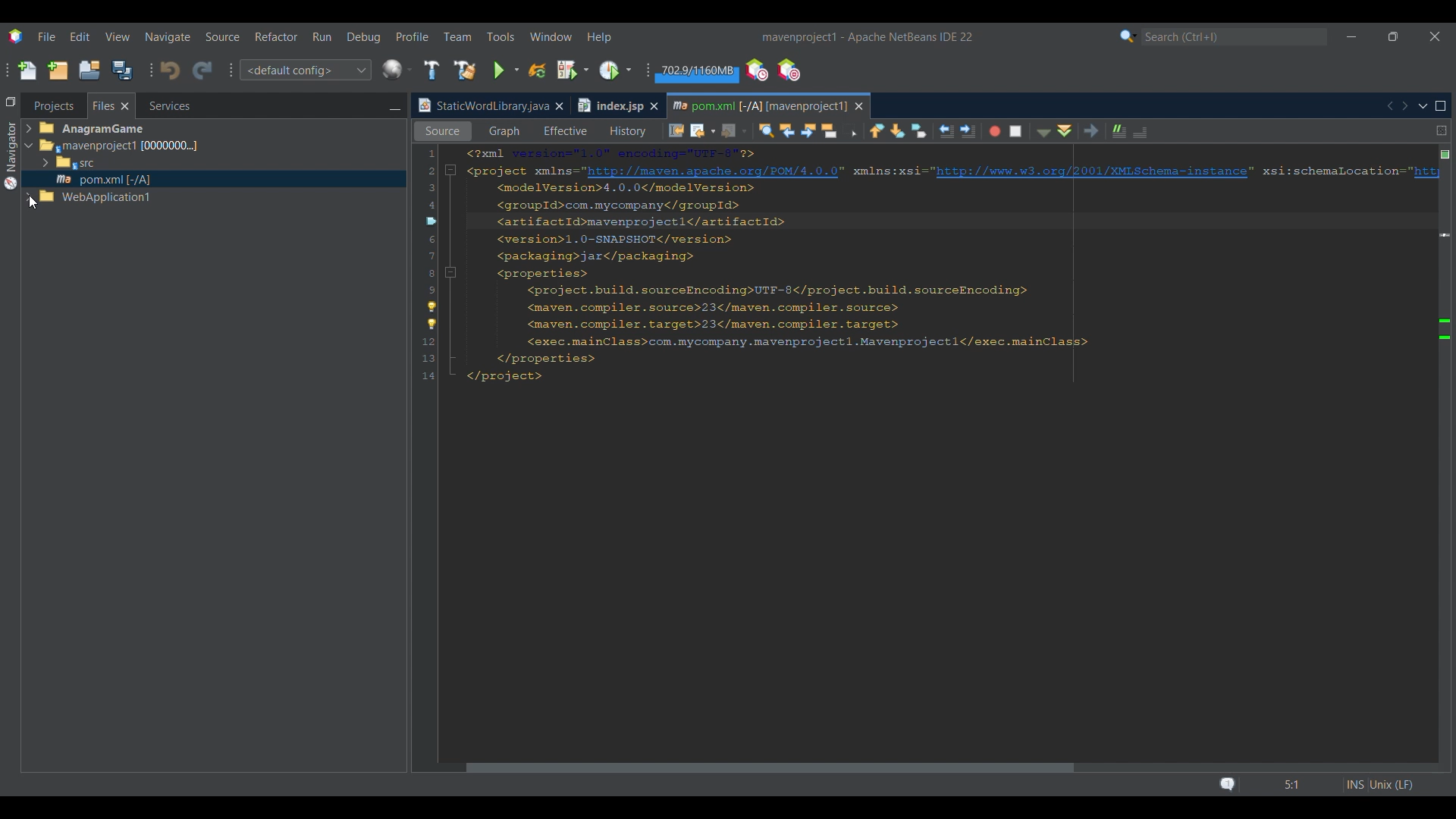  What do you see at coordinates (899, 130) in the screenshot?
I see `Next bookmark` at bounding box center [899, 130].